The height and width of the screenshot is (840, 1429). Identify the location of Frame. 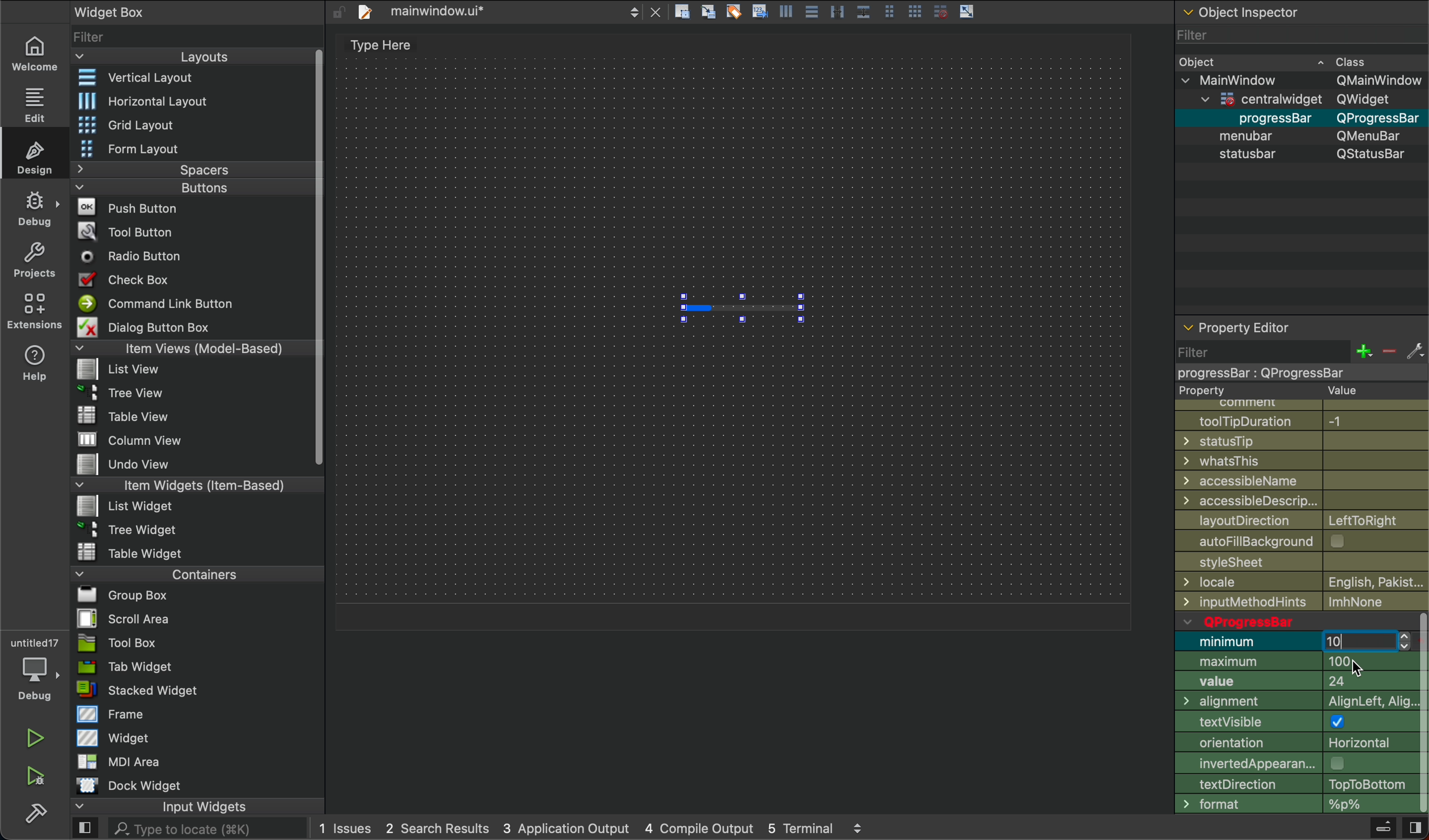
(112, 714).